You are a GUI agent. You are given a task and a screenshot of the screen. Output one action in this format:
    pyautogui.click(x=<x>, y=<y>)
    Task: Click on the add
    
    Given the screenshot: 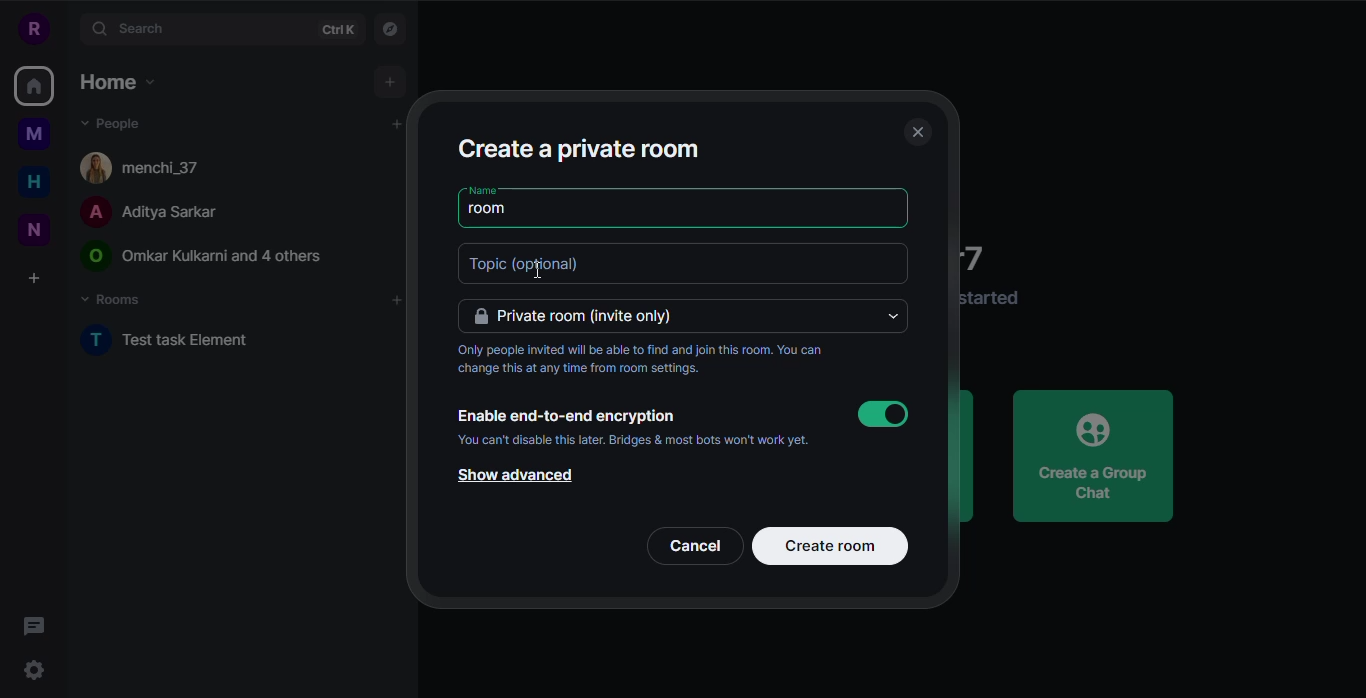 What is the action you would take?
    pyautogui.click(x=390, y=82)
    